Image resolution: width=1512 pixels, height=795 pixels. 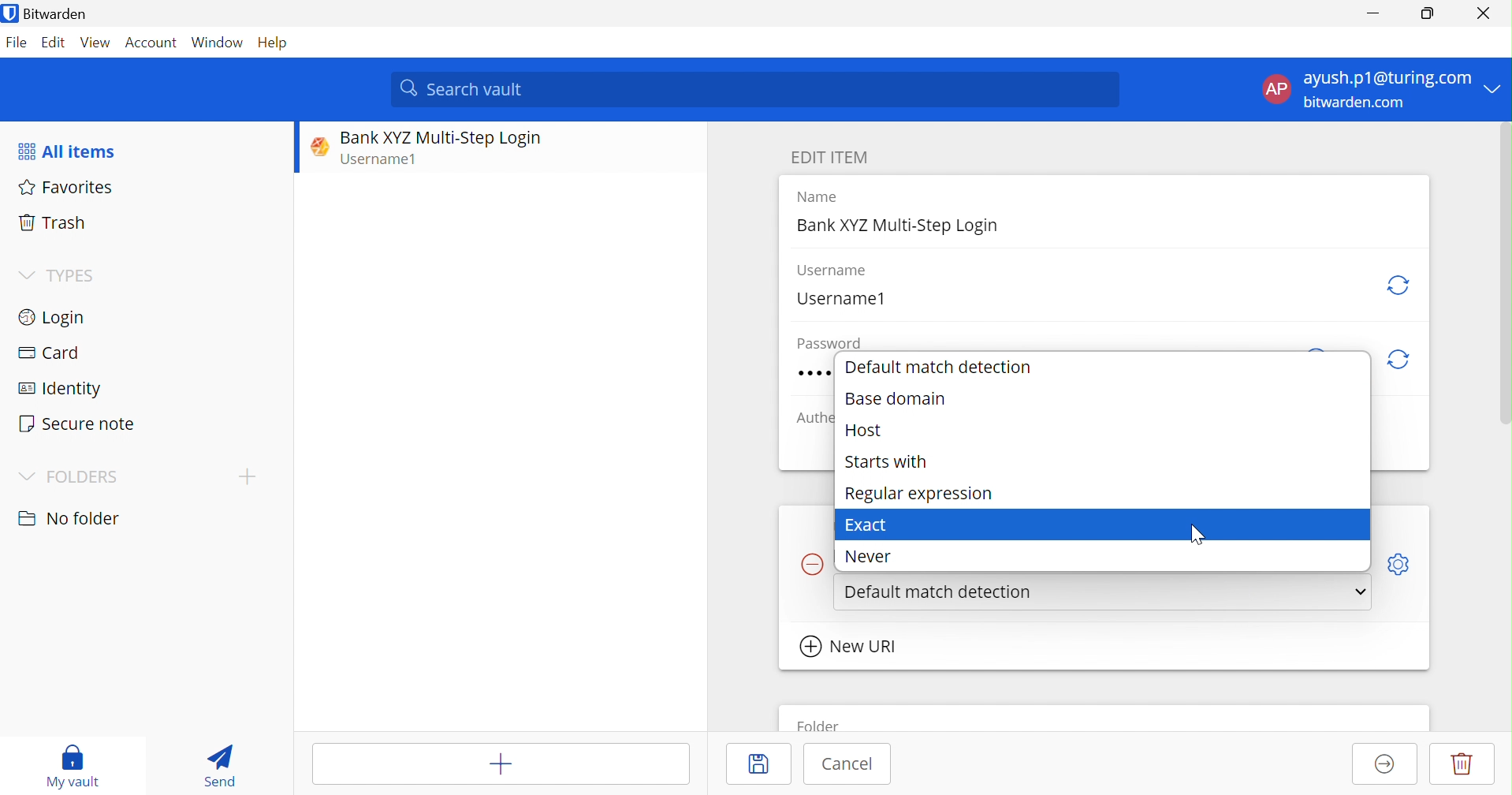 What do you see at coordinates (1247, 595) in the screenshot?
I see `Cursor` at bounding box center [1247, 595].